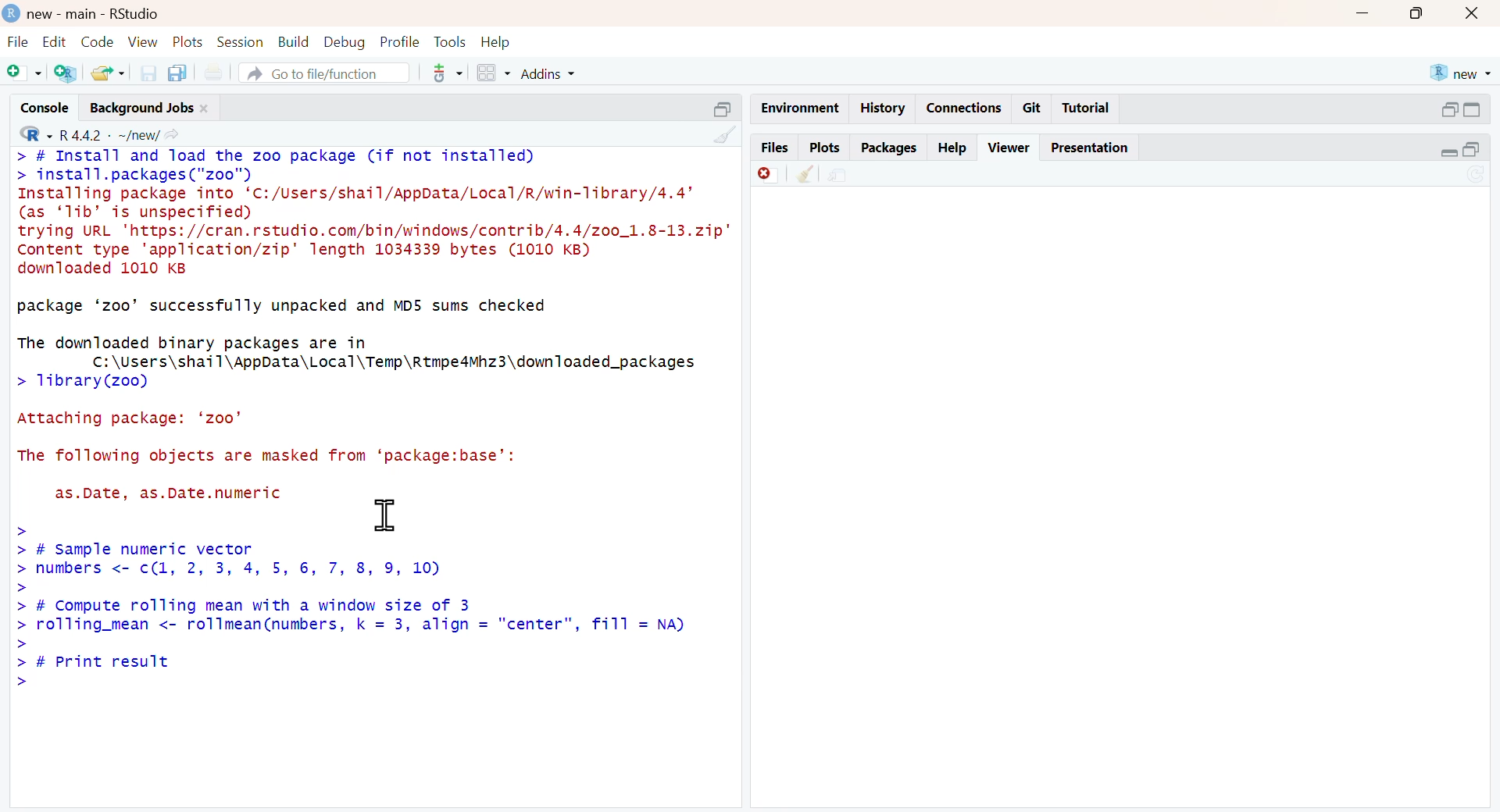 Image resolution: width=1500 pixels, height=812 pixels. Describe the element at coordinates (724, 109) in the screenshot. I see `open in separate window` at that location.